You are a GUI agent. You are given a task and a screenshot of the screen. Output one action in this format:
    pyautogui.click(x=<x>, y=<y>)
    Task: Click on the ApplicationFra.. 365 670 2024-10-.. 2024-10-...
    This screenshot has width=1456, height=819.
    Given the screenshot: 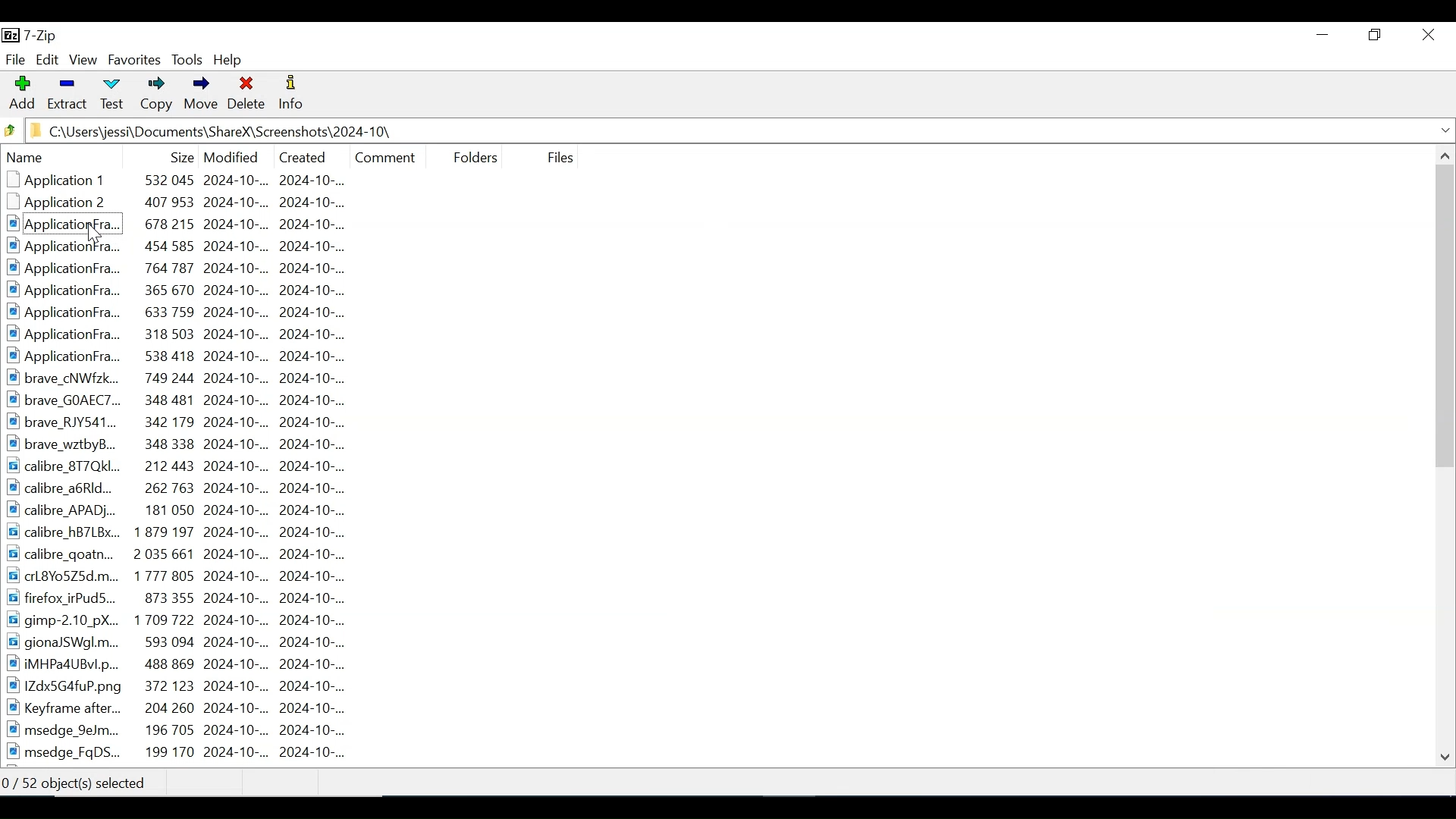 What is the action you would take?
    pyautogui.click(x=186, y=290)
    